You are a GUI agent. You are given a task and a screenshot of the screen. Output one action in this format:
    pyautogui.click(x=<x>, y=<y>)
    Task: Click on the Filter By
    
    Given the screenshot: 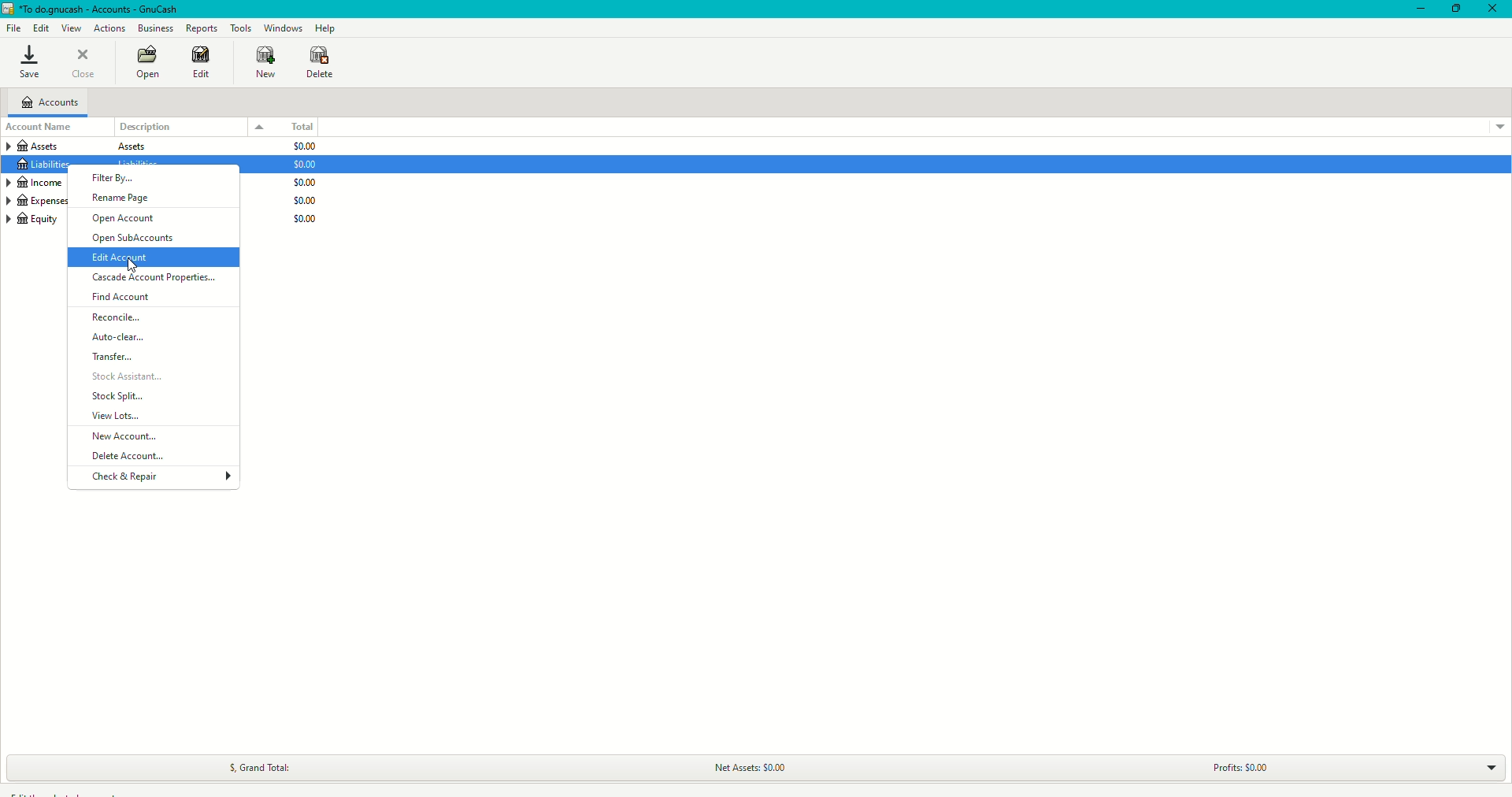 What is the action you would take?
    pyautogui.click(x=115, y=179)
    